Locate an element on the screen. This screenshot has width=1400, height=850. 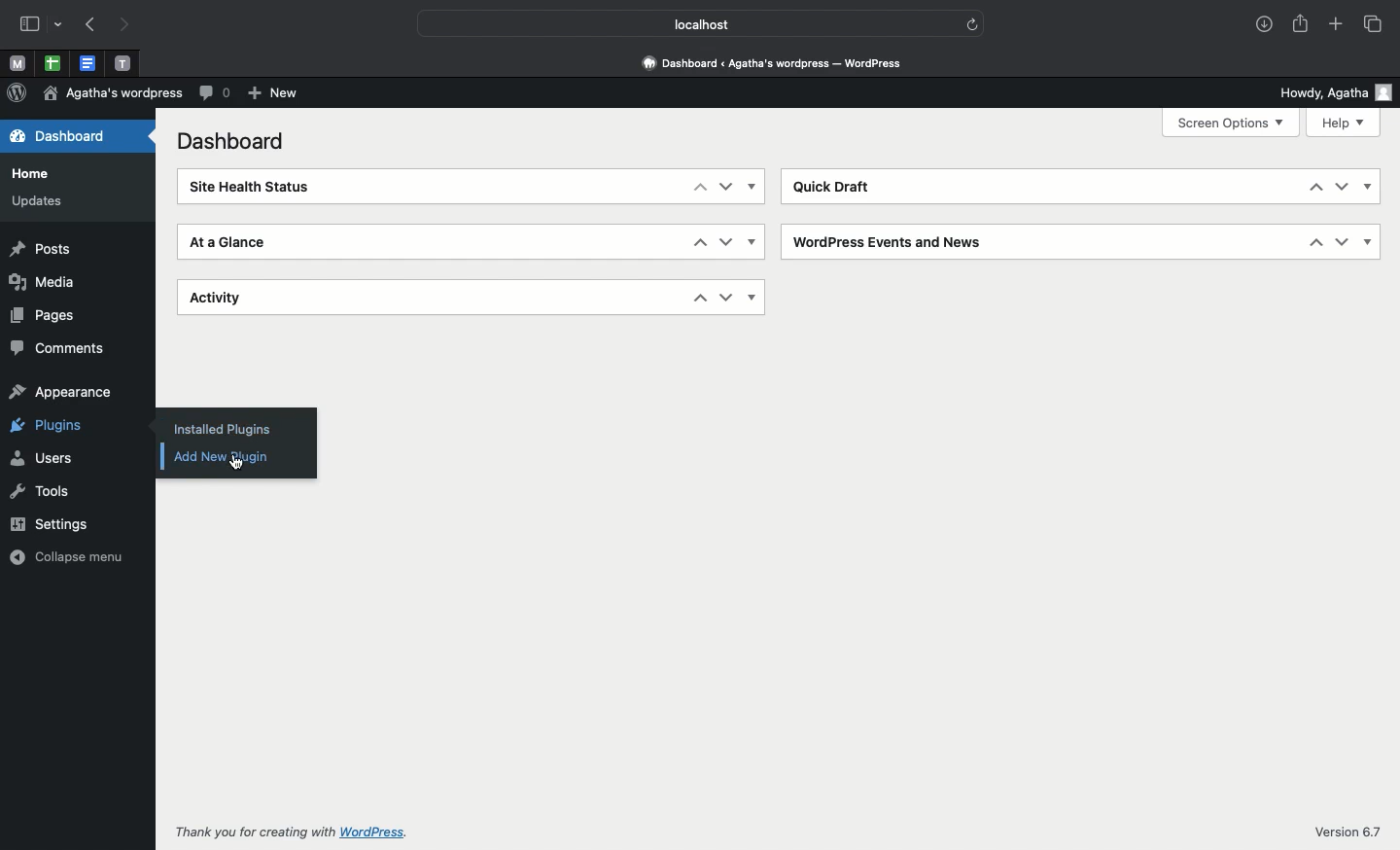
Site health status is located at coordinates (253, 188).